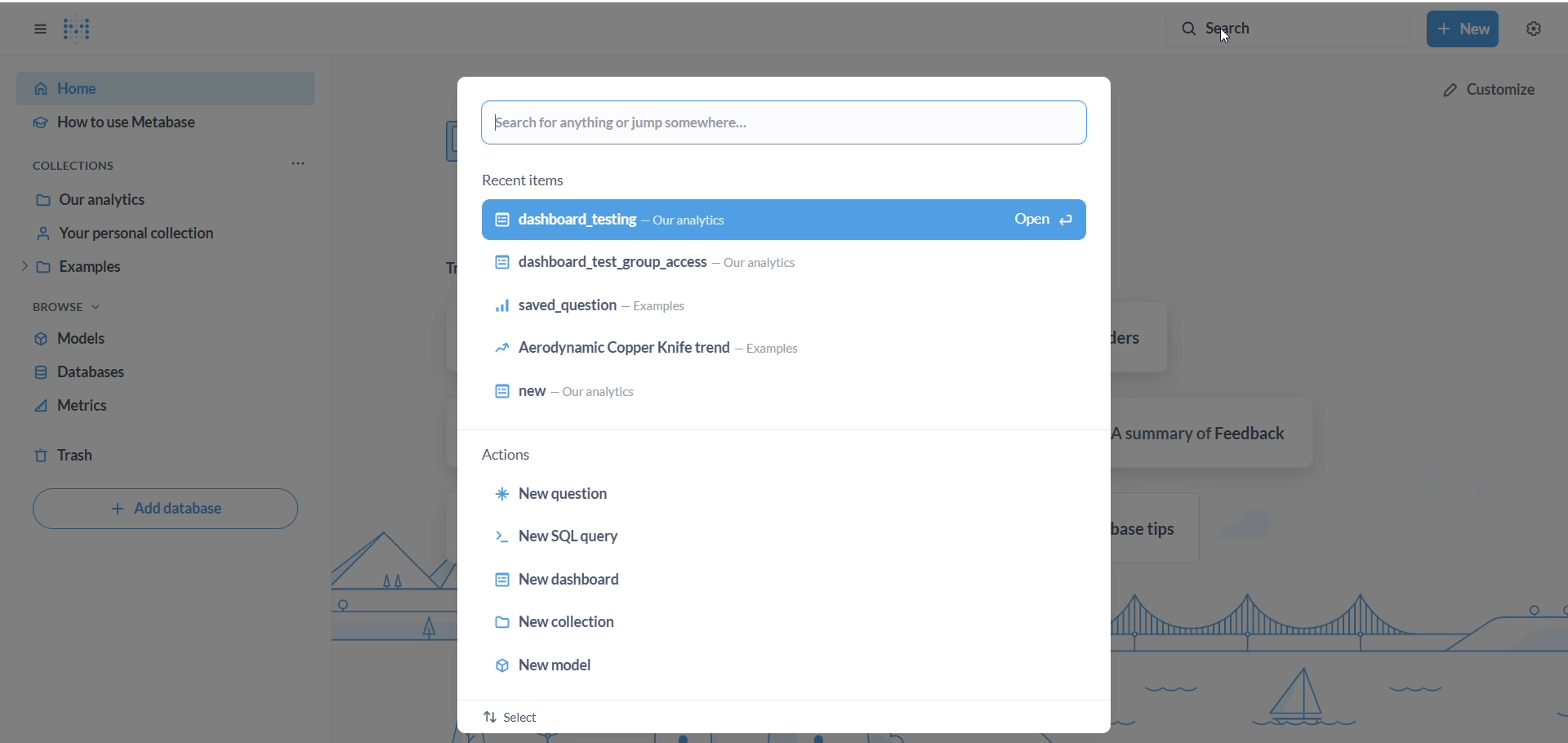 The image size is (1568, 743). I want to click on Aerodynamic Coppper Knife trend-Examples, so click(771, 353).